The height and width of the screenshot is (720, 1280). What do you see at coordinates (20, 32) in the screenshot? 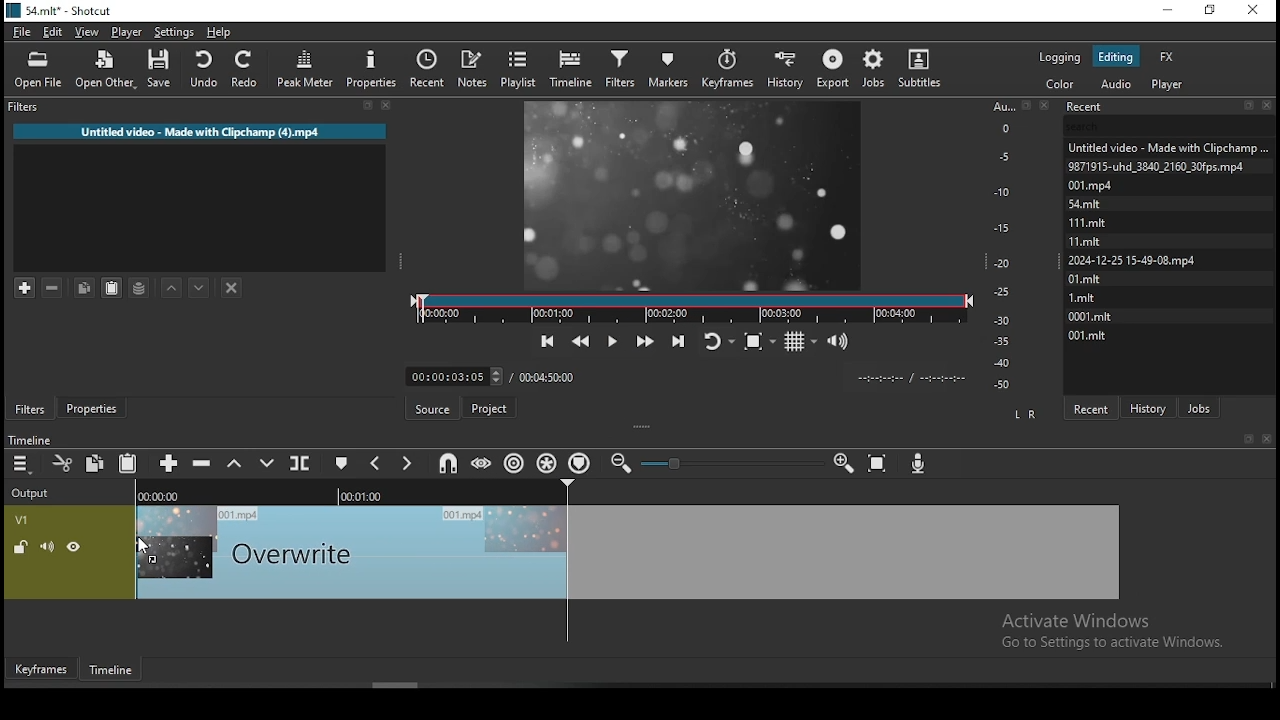
I see `file` at bounding box center [20, 32].